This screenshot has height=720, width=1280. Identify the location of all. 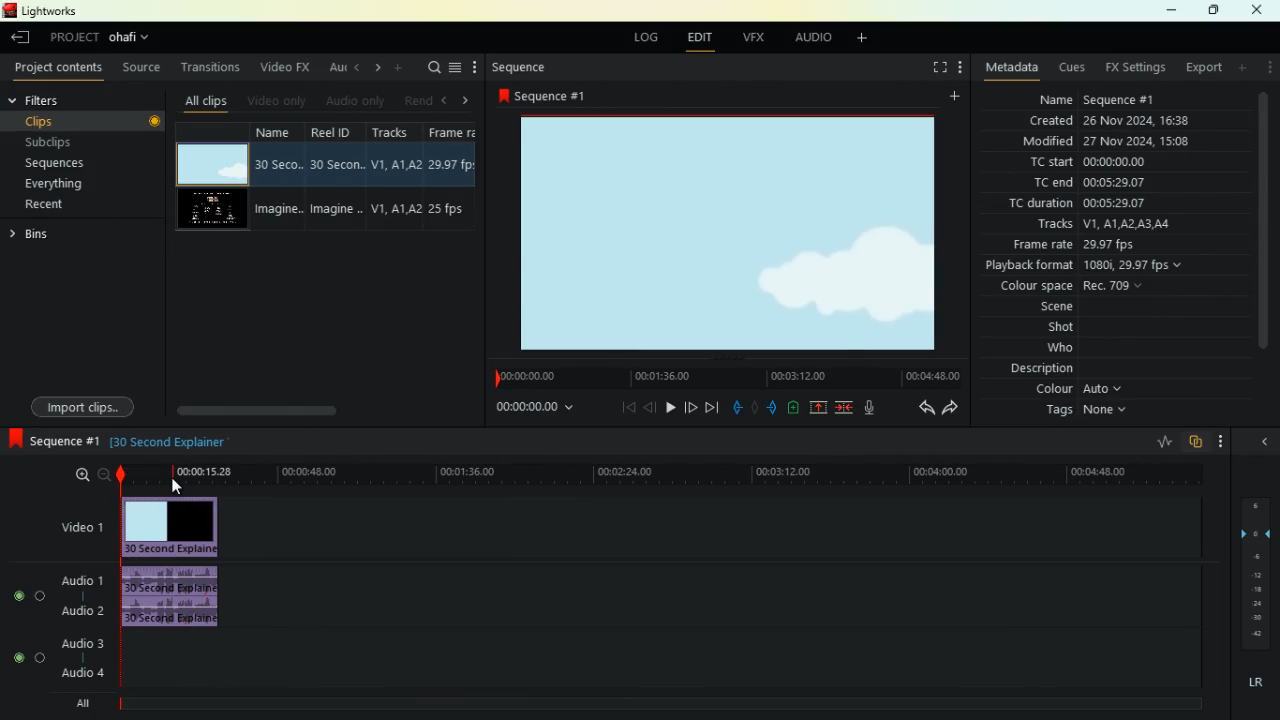
(83, 706).